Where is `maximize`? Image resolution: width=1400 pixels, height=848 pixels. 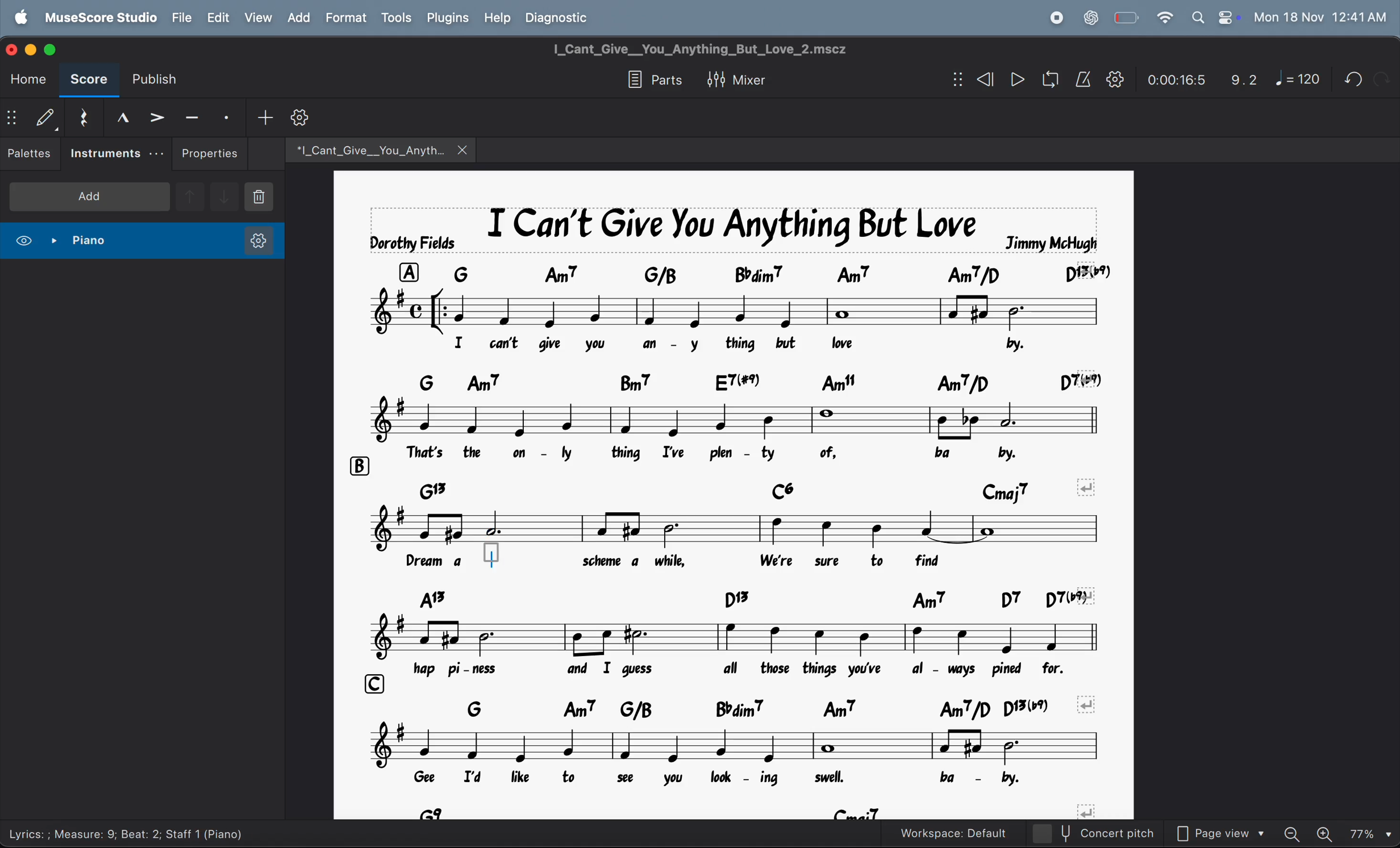
maximize is located at coordinates (56, 49).